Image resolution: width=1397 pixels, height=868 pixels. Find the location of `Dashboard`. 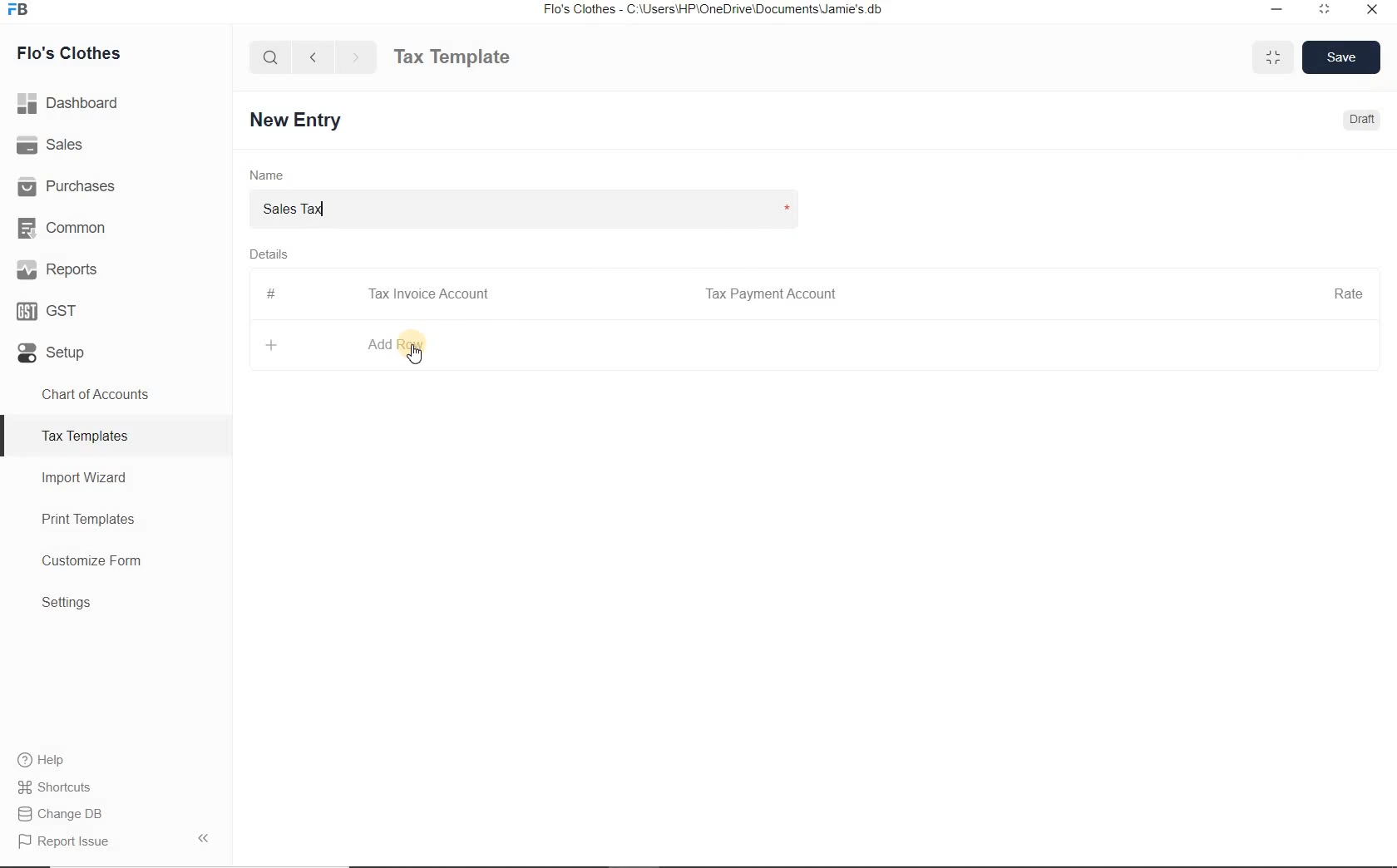

Dashboard is located at coordinates (116, 103).